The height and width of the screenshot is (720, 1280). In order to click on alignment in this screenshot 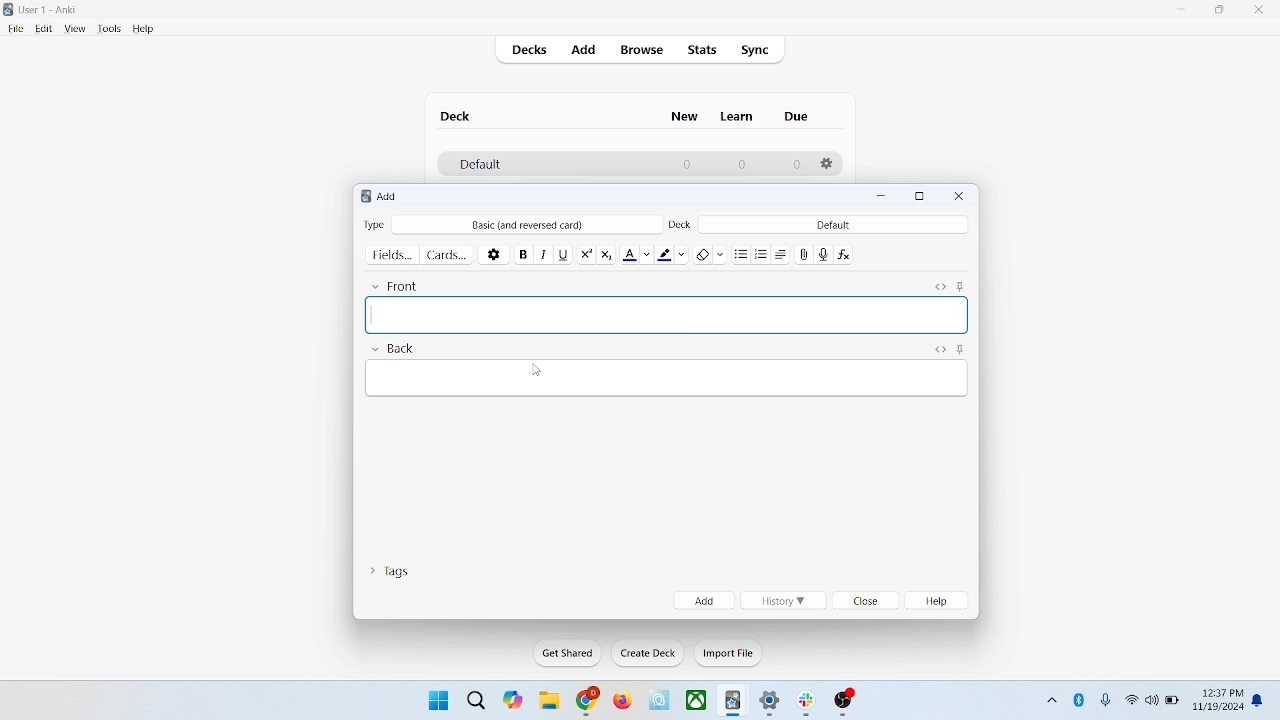, I will do `click(786, 254)`.